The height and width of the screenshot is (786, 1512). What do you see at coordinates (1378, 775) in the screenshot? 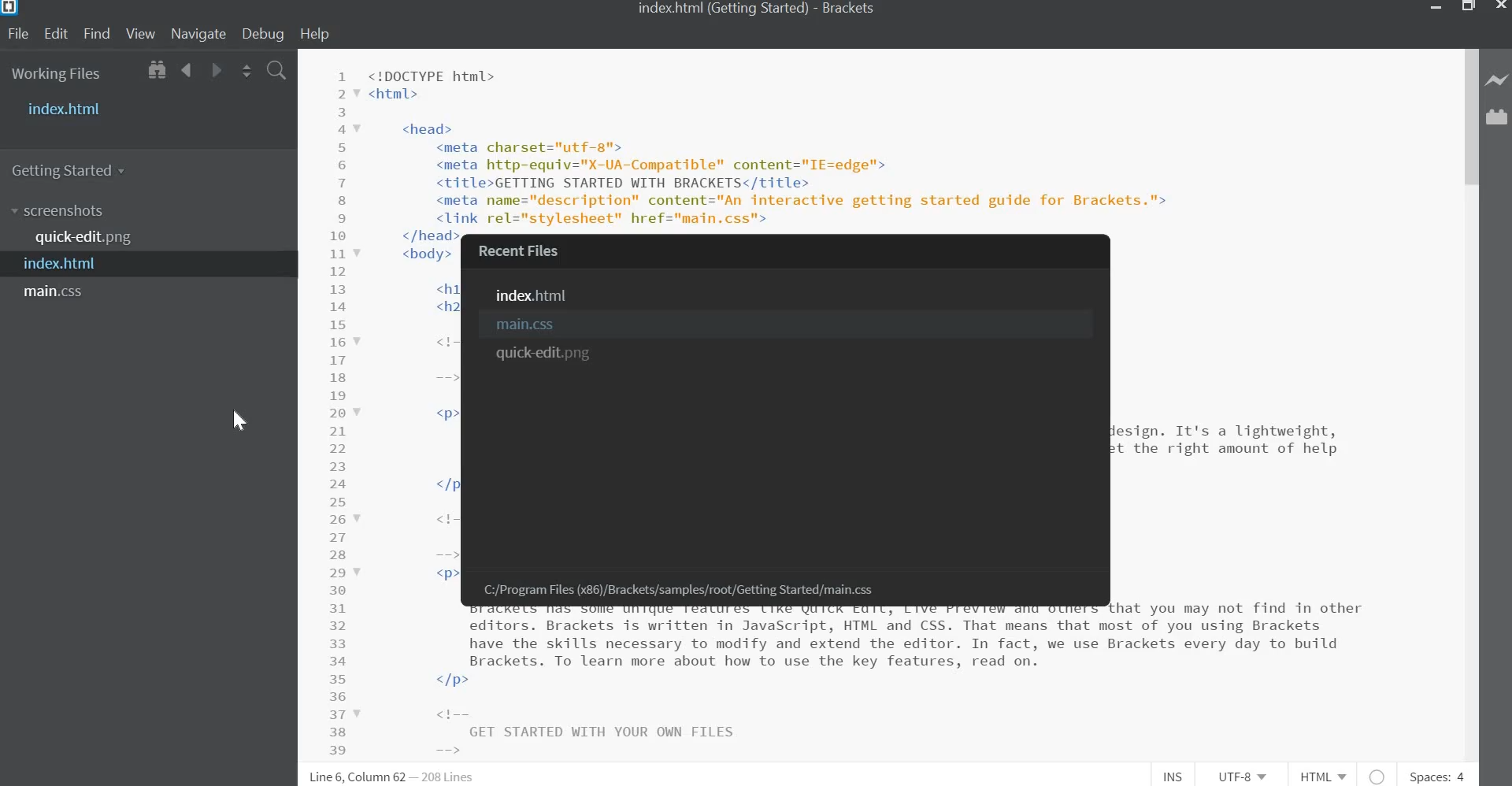
I see `No linter available for HTML` at bounding box center [1378, 775].